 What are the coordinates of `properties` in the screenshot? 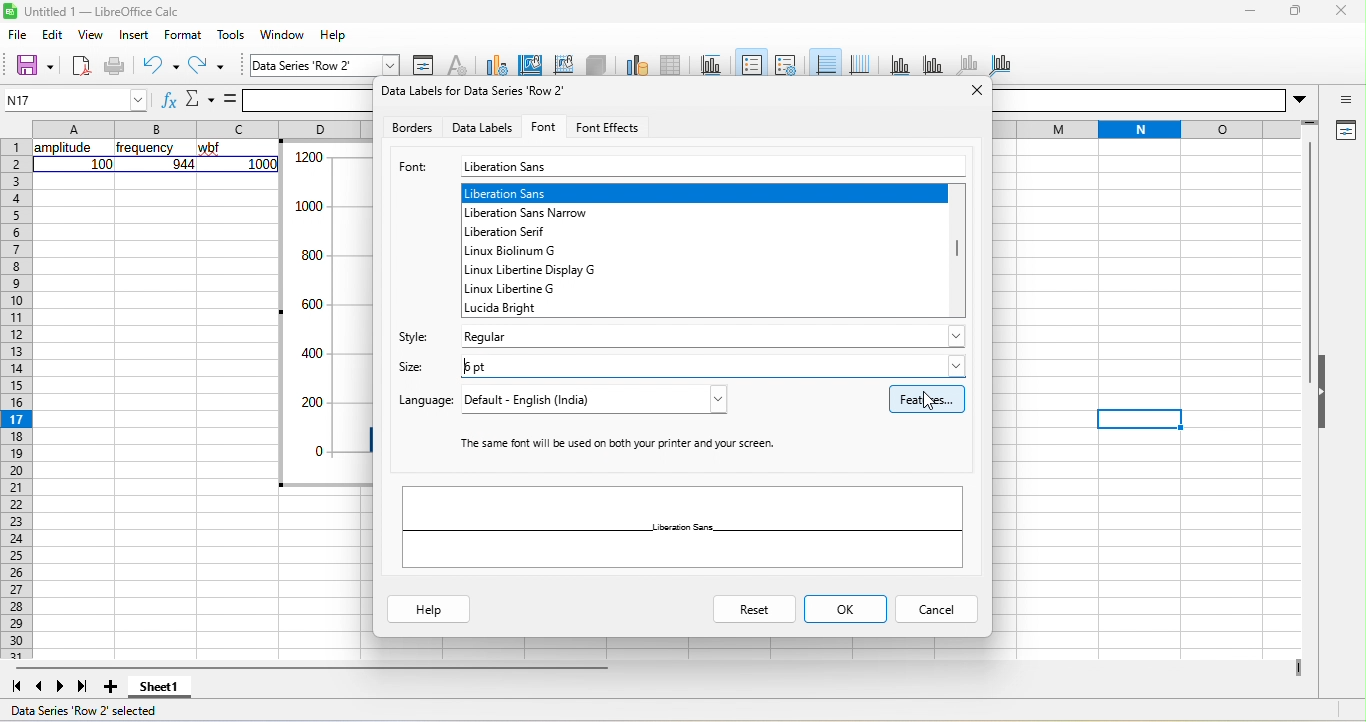 It's located at (1342, 130).